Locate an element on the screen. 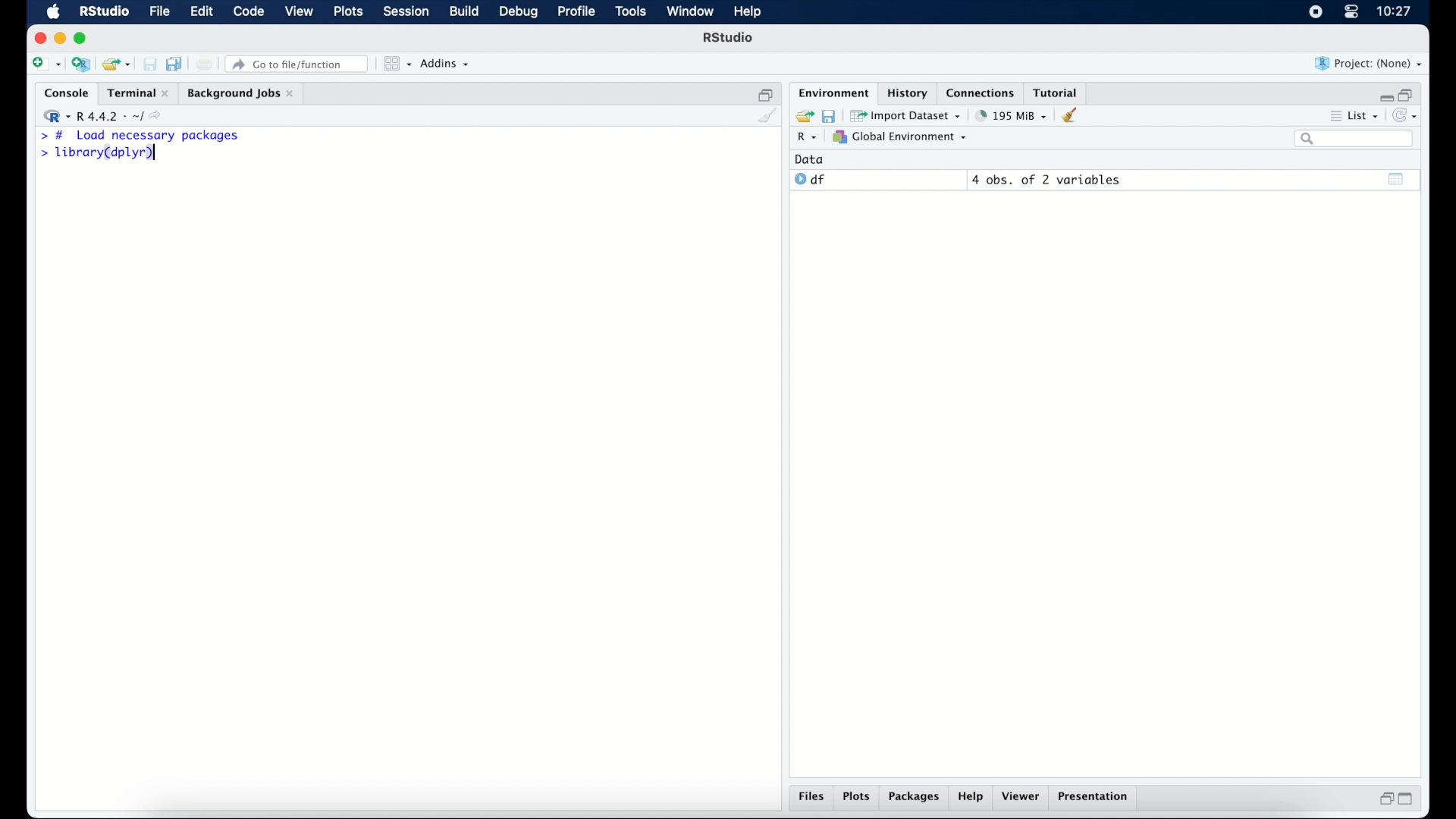 This screenshot has height=819, width=1456. maximize is located at coordinates (1410, 799).